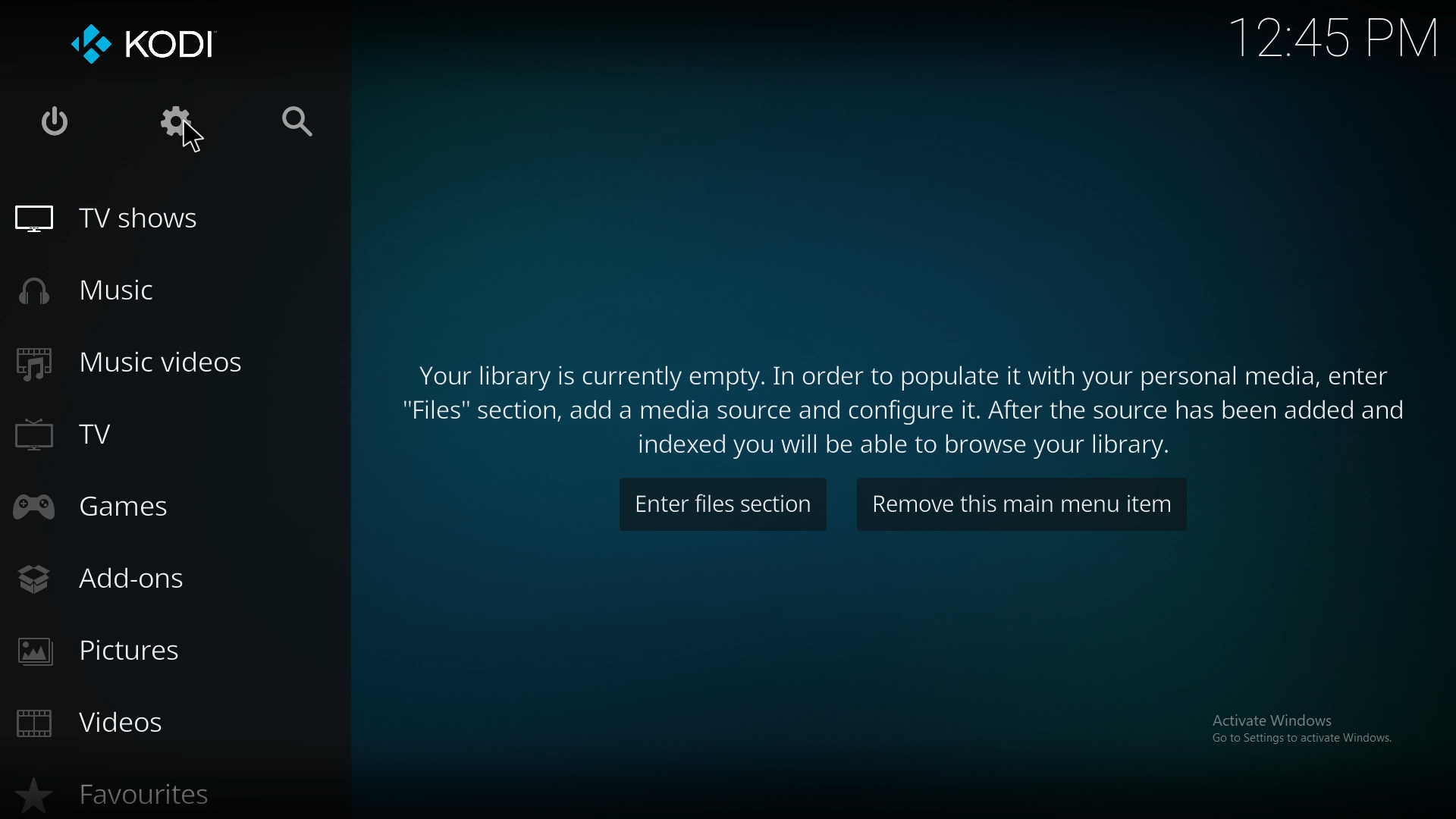 The image size is (1456, 819). Describe the element at coordinates (116, 577) in the screenshot. I see `add ons` at that location.